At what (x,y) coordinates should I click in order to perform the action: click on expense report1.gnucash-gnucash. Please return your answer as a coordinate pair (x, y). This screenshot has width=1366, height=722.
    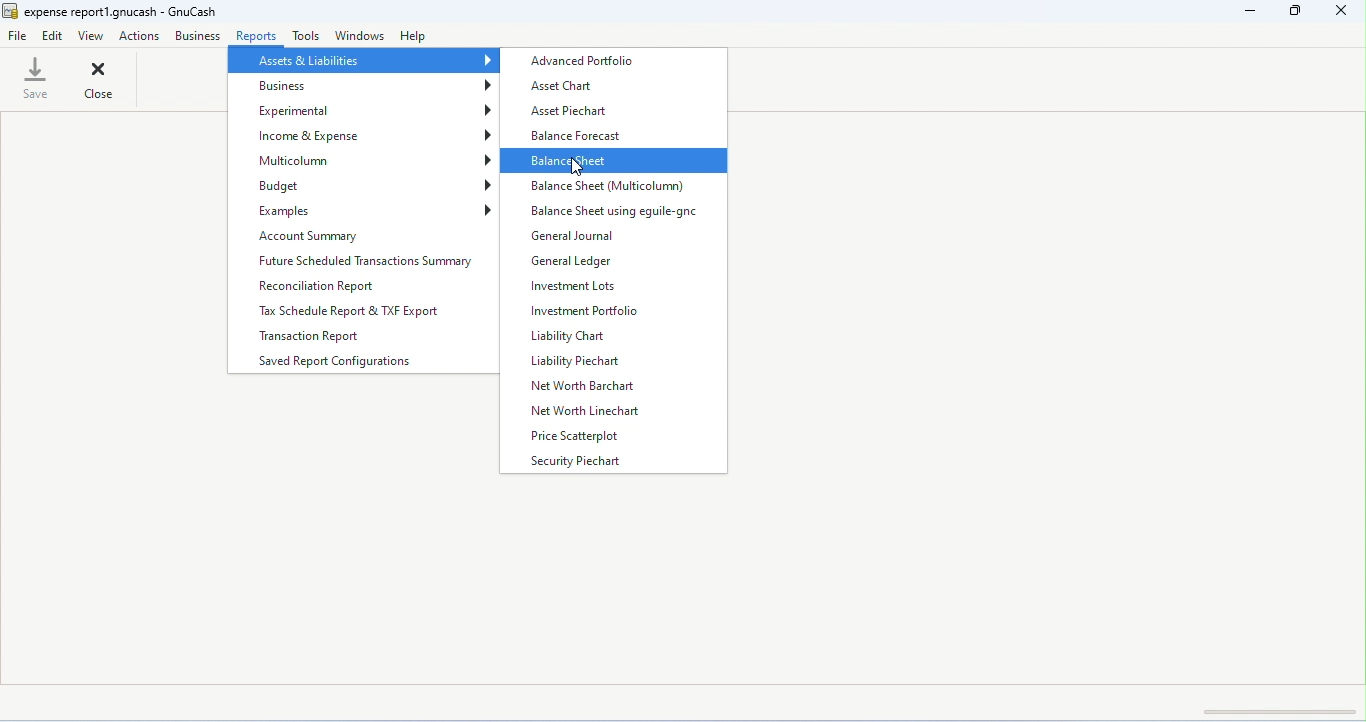
    Looking at the image, I should click on (112, 12).